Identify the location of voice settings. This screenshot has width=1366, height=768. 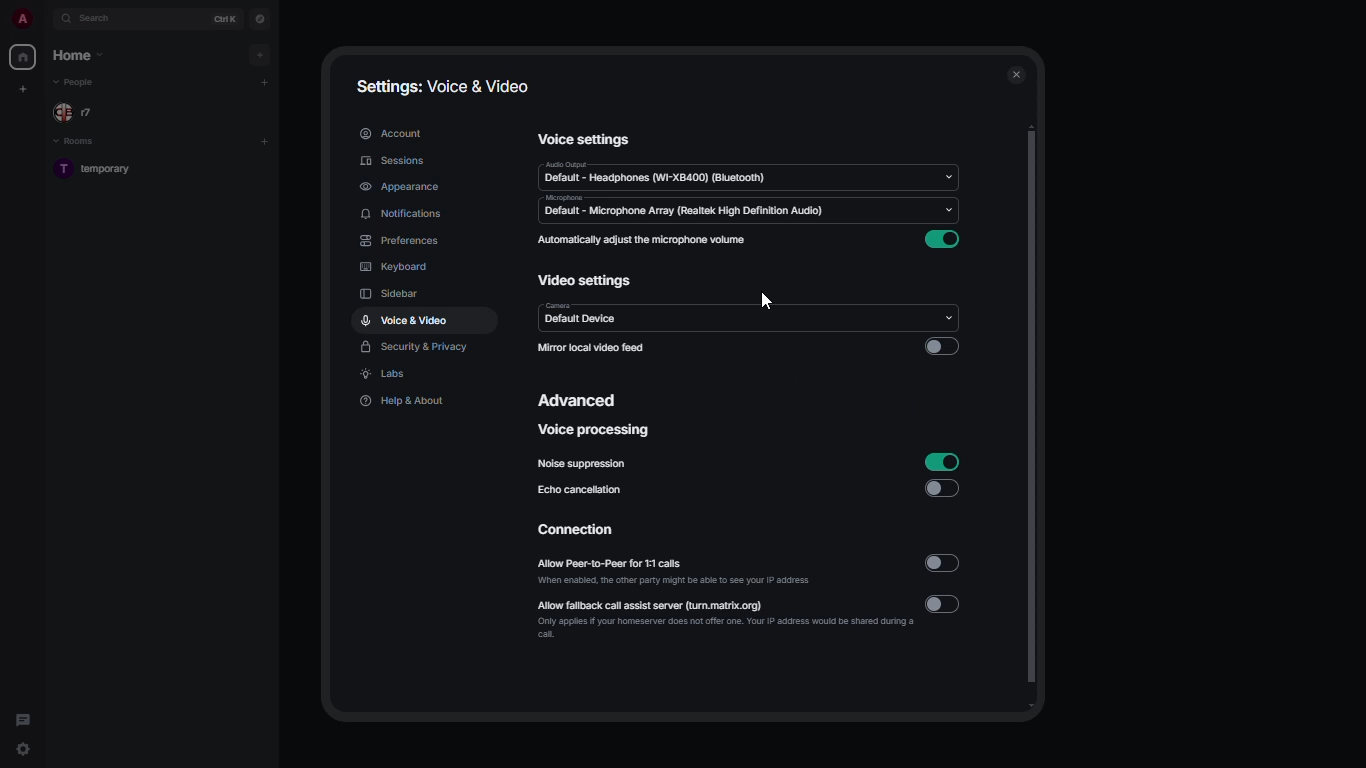
(586, 138).